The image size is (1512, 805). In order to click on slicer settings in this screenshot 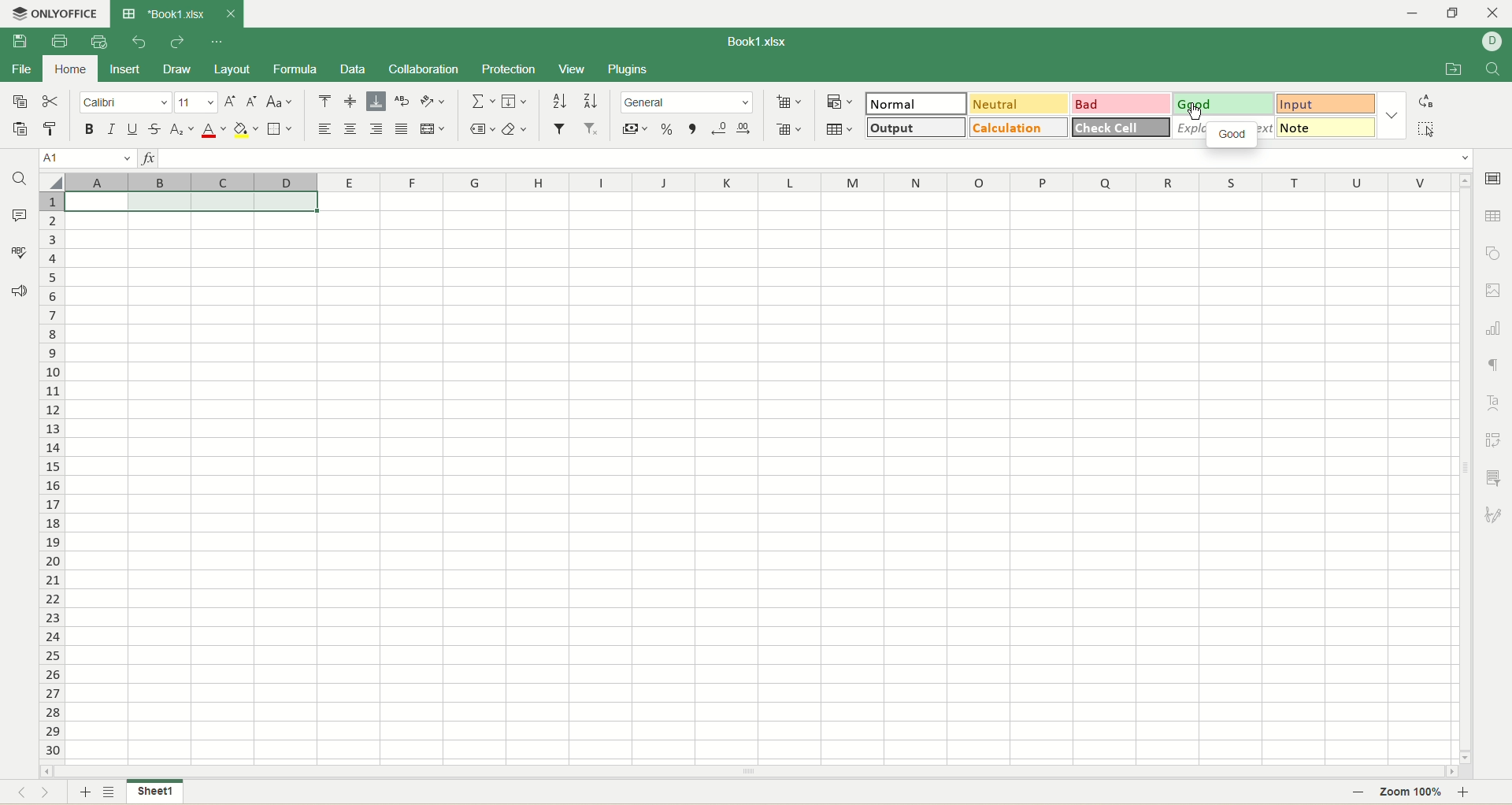, I will do `click(1496, 478)`.